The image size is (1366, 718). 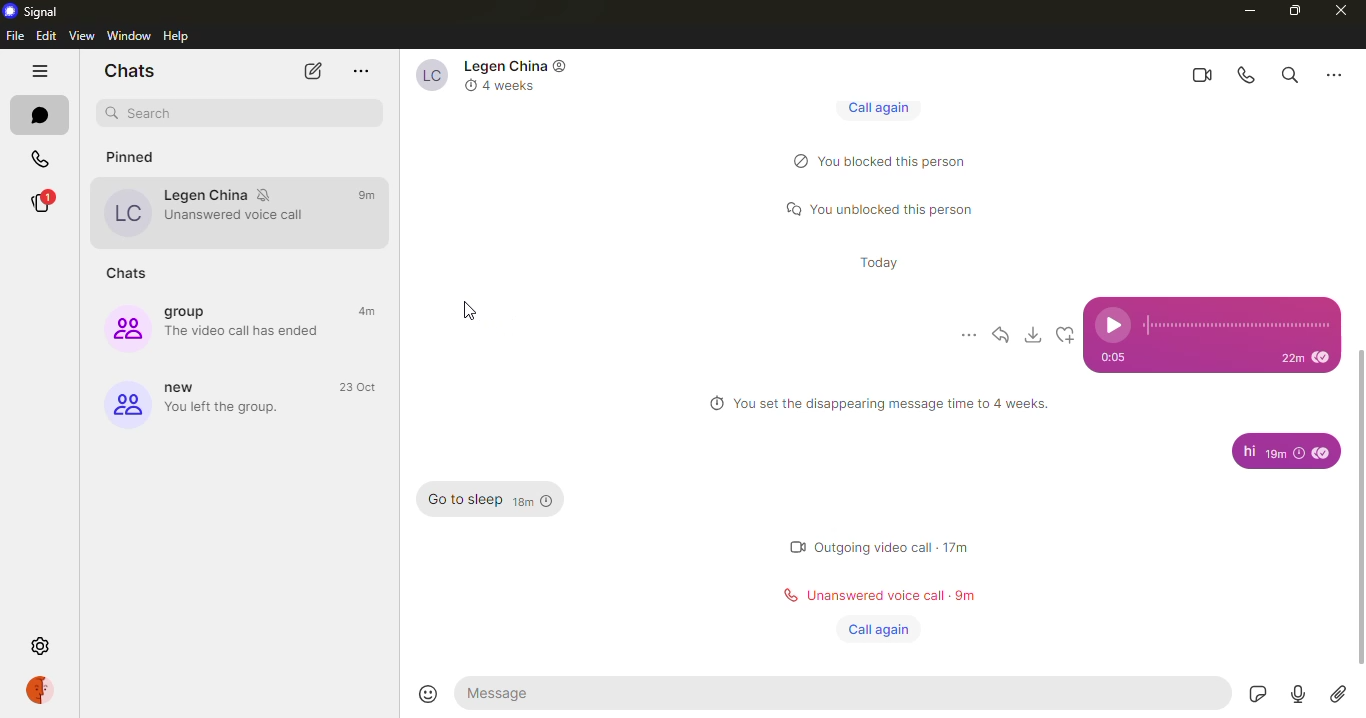 What do you see at coordinates (1304, 357) in the screenshot?
I see `time` at bounding box center [1304, 357].